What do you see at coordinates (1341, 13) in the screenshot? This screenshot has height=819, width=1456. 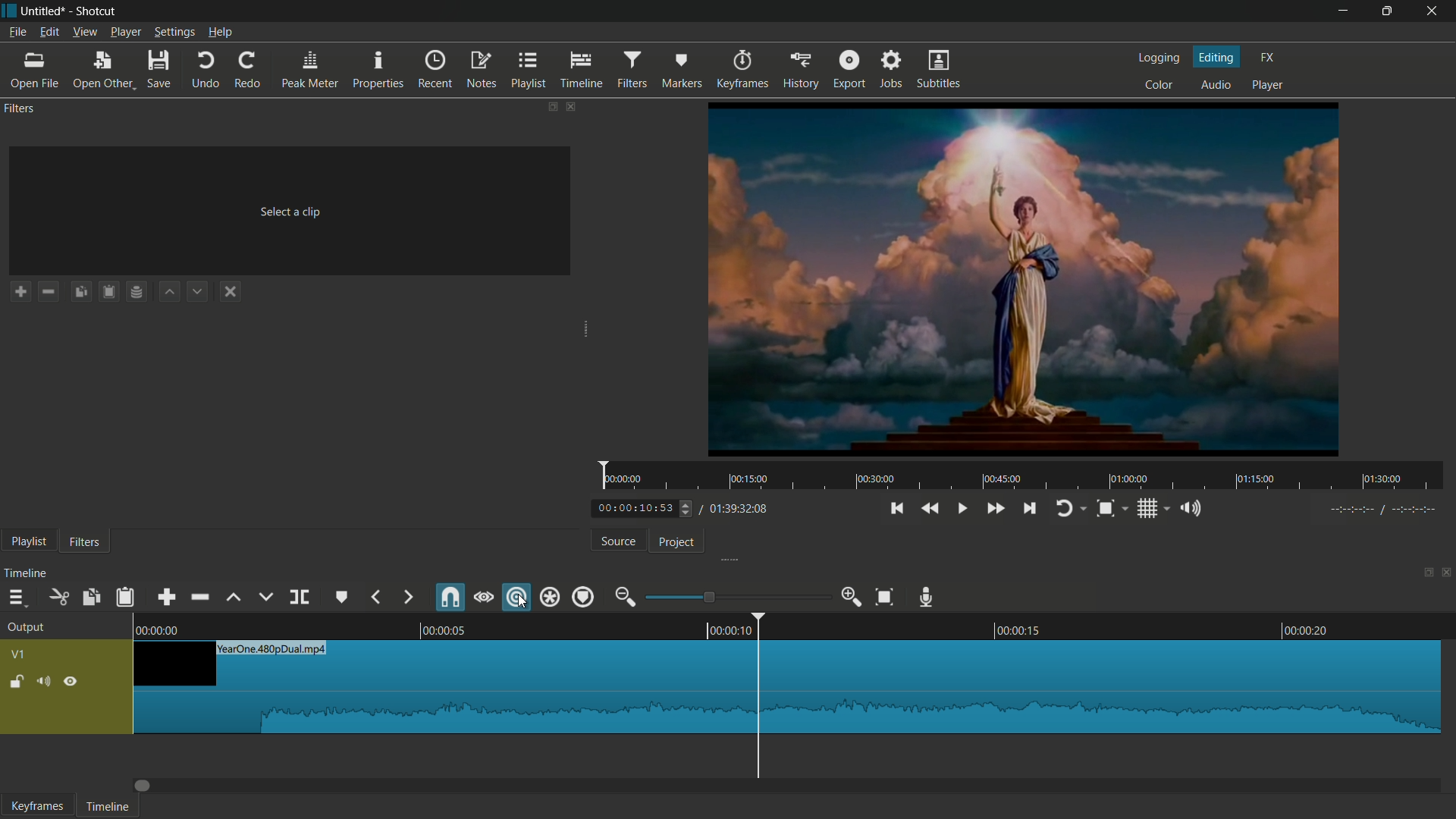 I see `minimize` at bounding box center [1341, 13].